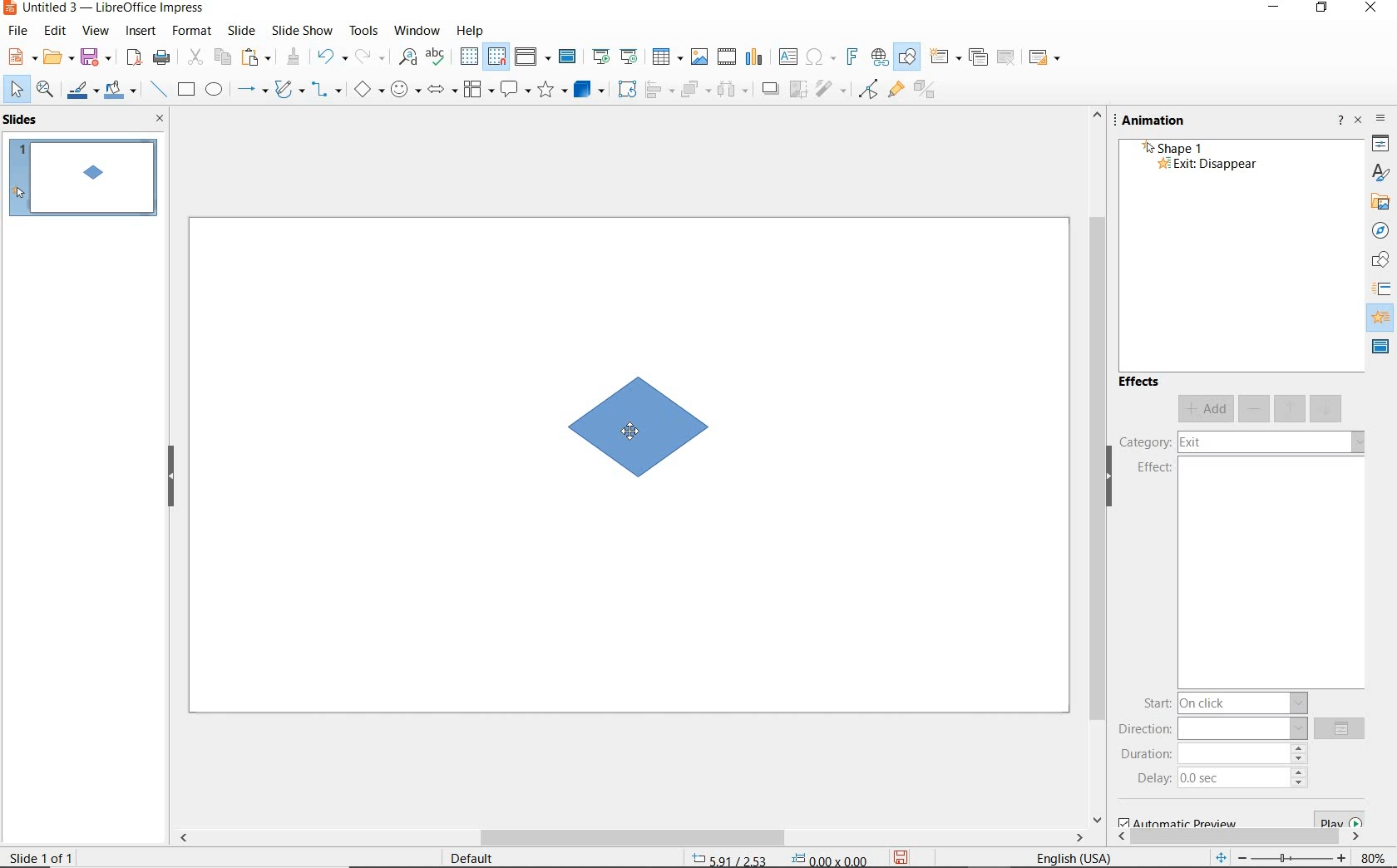 This screenshot has height=868, width=1397. I want to click on file, so click(20, 31).